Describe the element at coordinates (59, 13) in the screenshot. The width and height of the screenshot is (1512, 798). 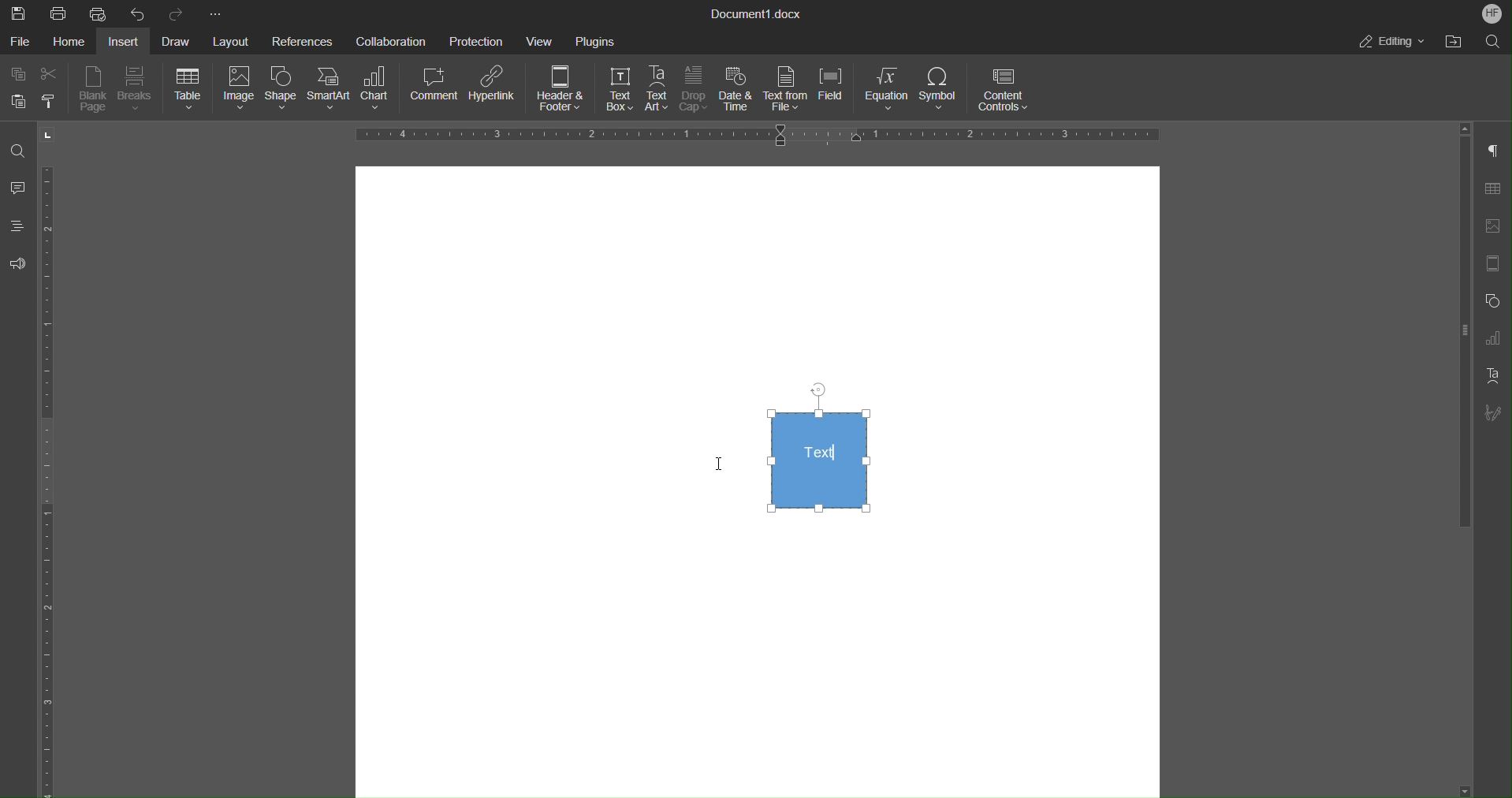
I see `Print` at that location.